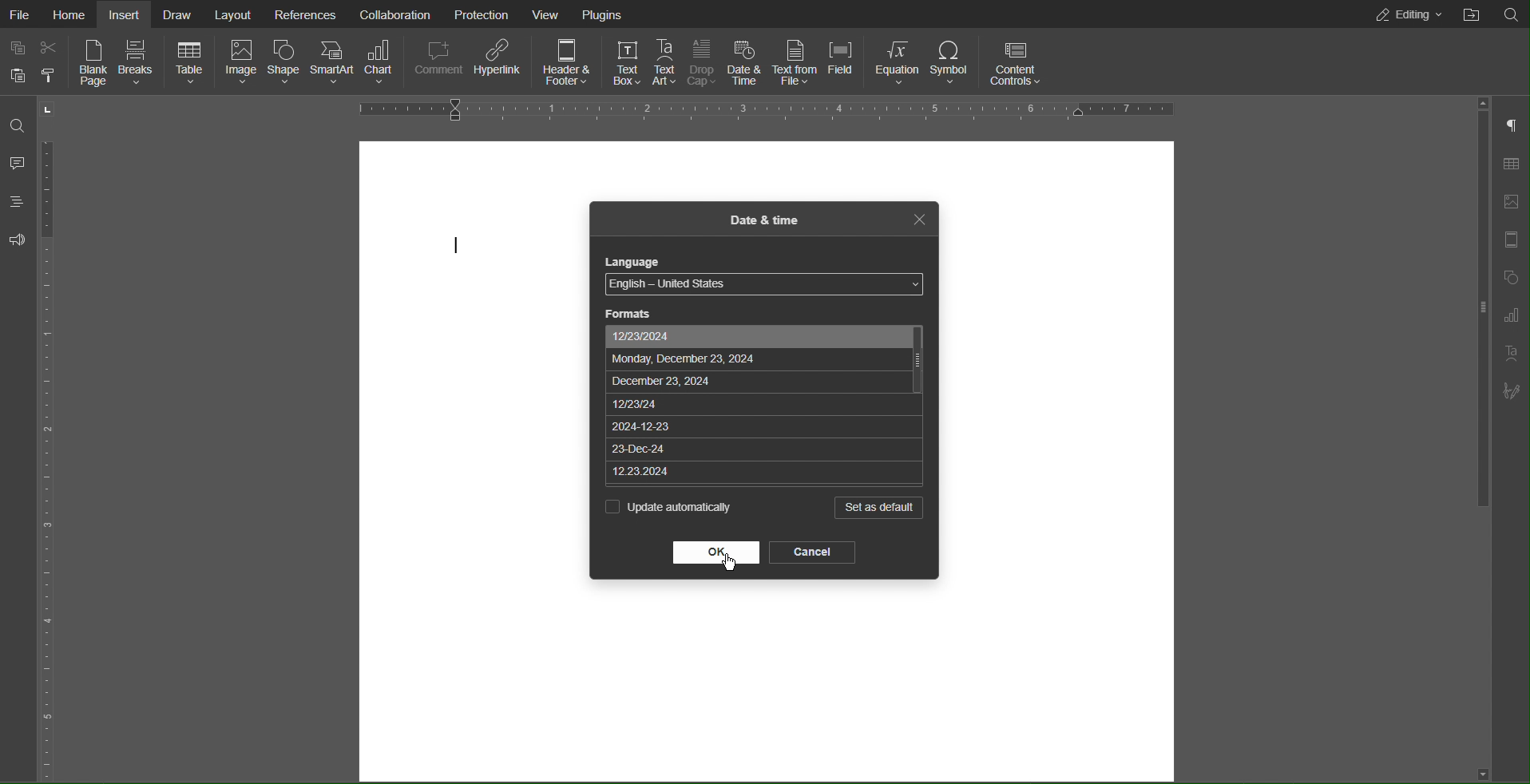 Image resolution: width=1530 pixels, height=784 pixels. I want to click on Search, so click(18, 127).